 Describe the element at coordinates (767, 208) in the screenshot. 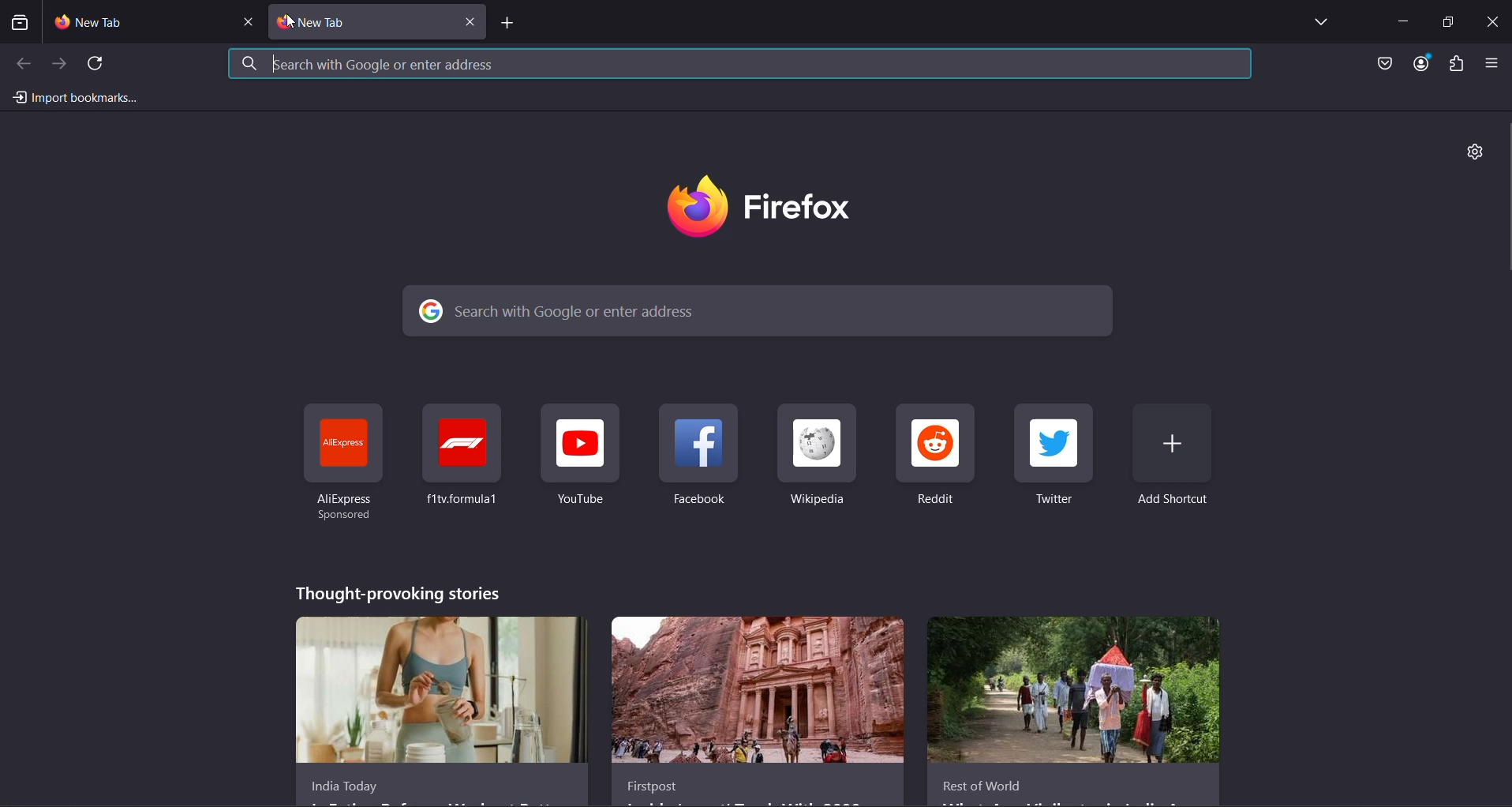

I see `logo` at that location.